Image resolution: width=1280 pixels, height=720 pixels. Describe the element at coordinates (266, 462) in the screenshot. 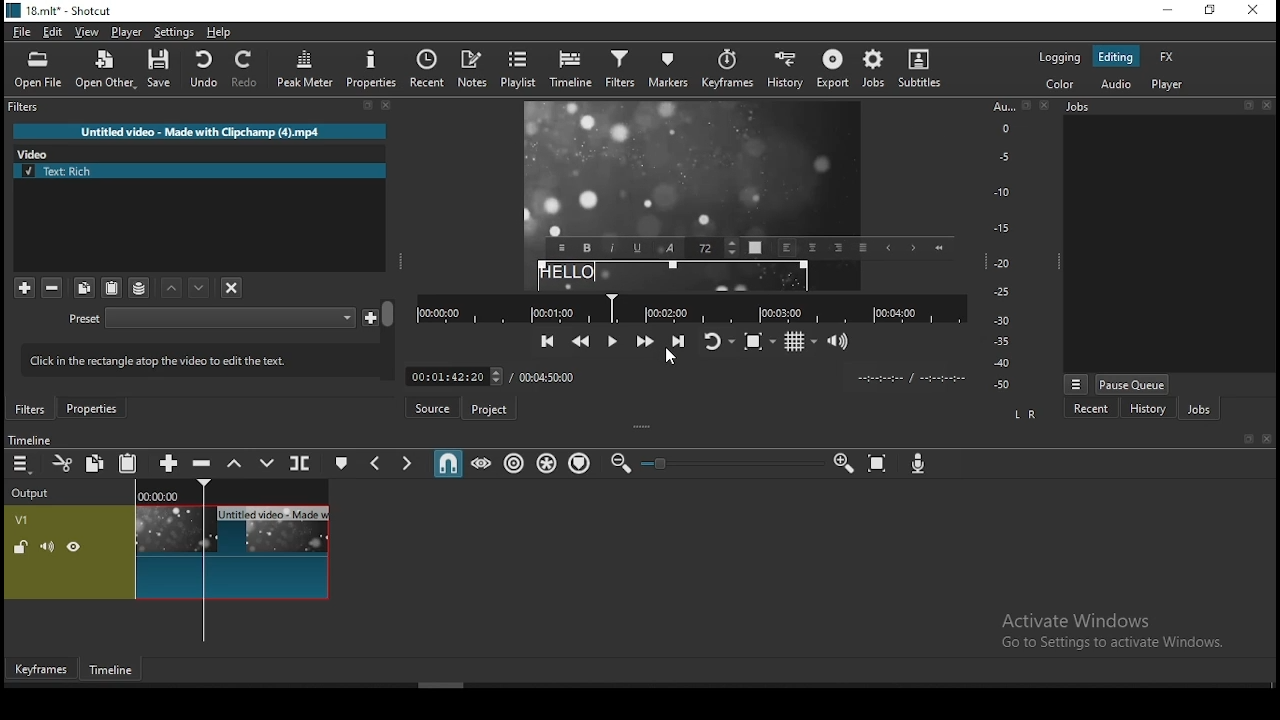

I see `overwrite` at that location.